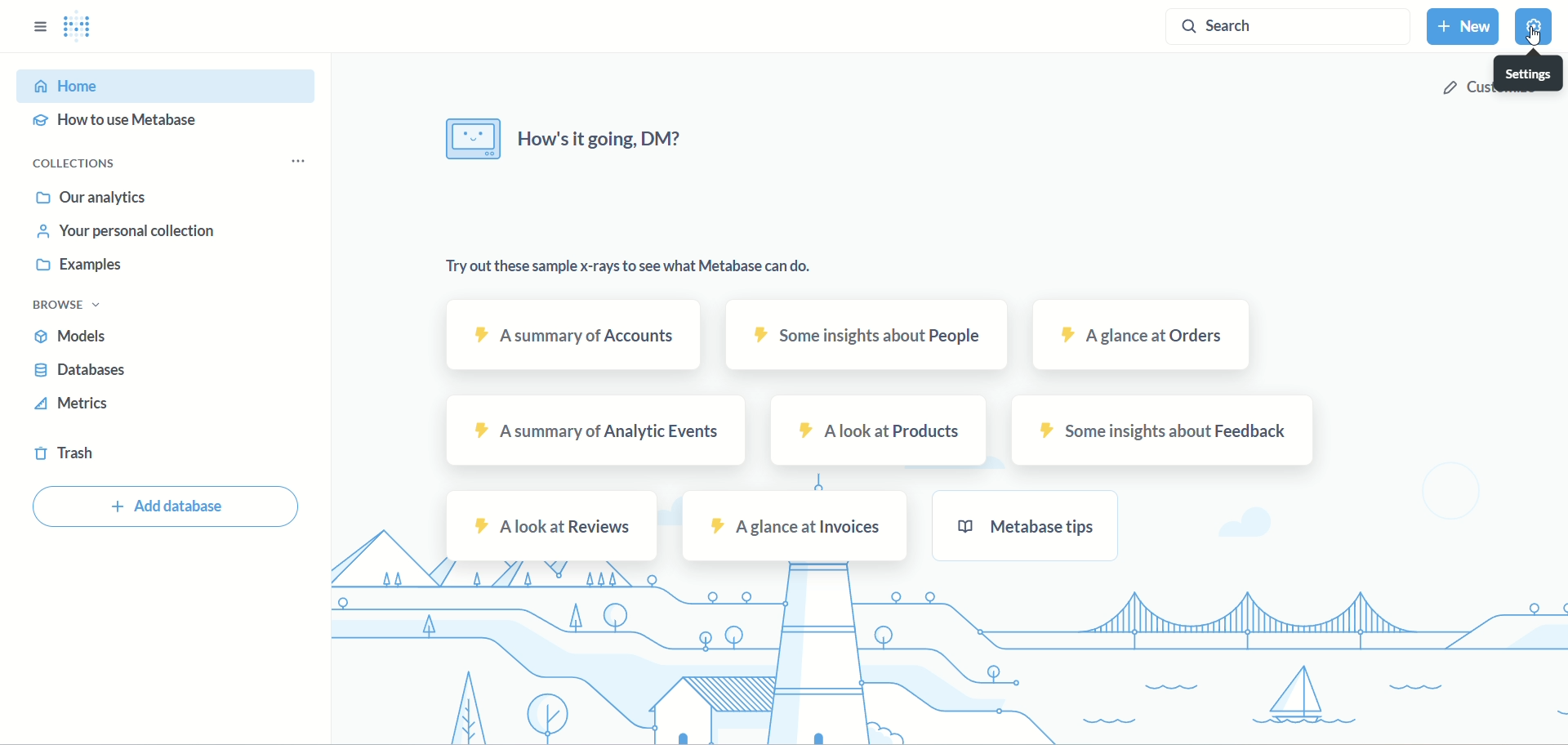 The width and height of the screenshot is (1568, 745). What do you see at coordinates (1463, 26) in the screenshot?
I see `new` at bounding box center [1463, 26].